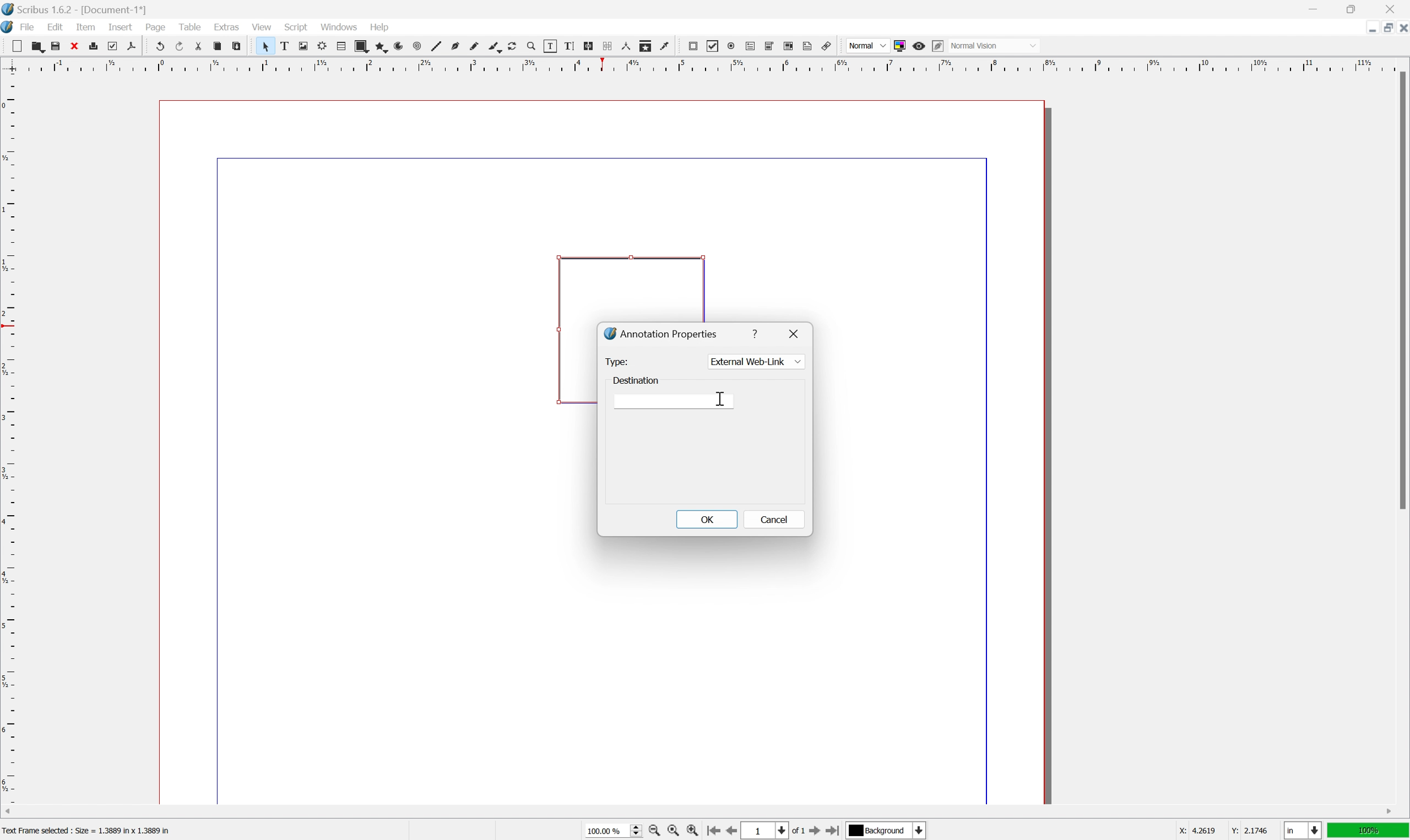 Image resolution: width=1410 pixels, height=840 pixels. I want to click on new, so click(16, 46).